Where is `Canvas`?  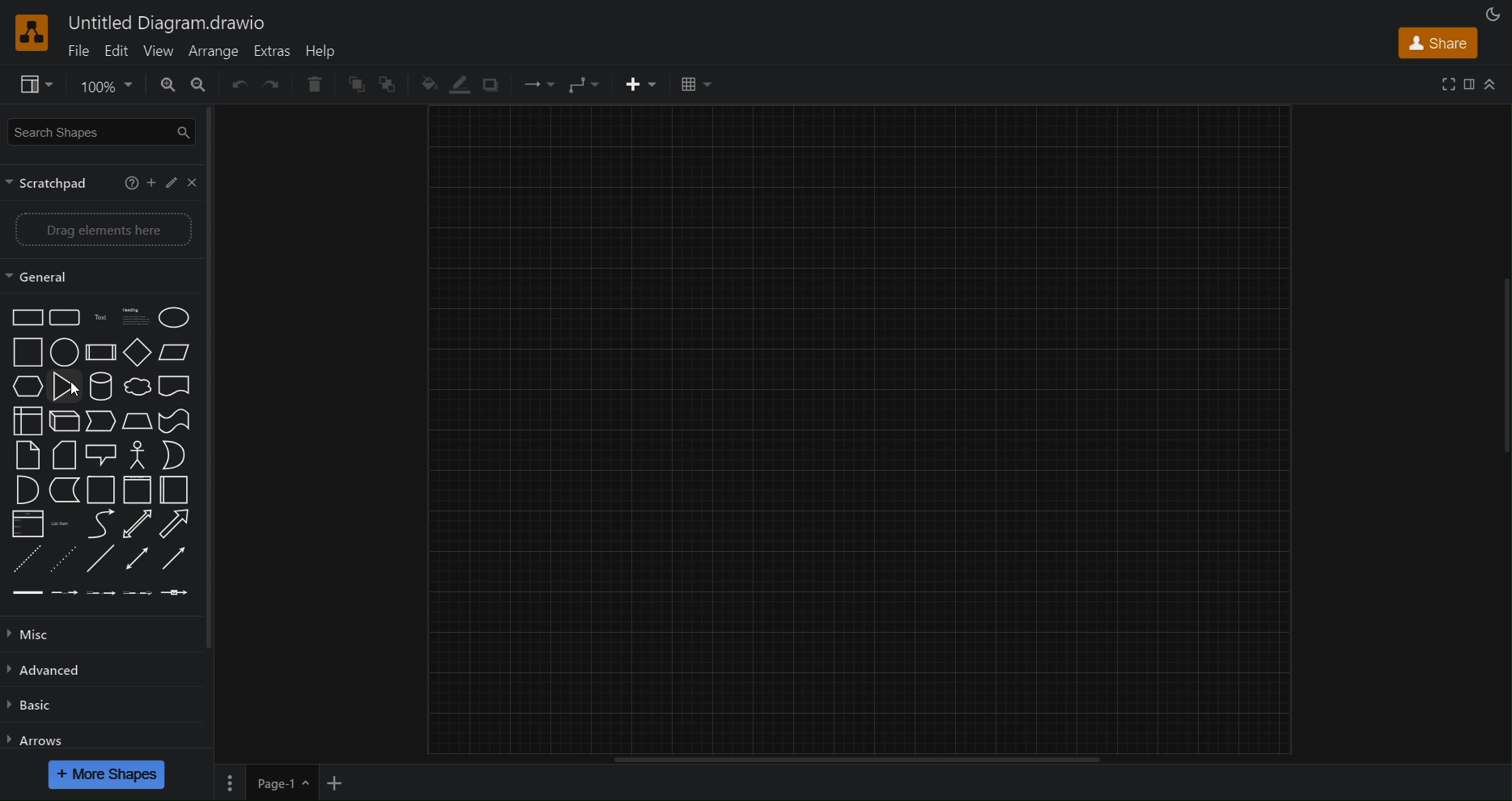 Canvas is located at coordinates (869, 430).